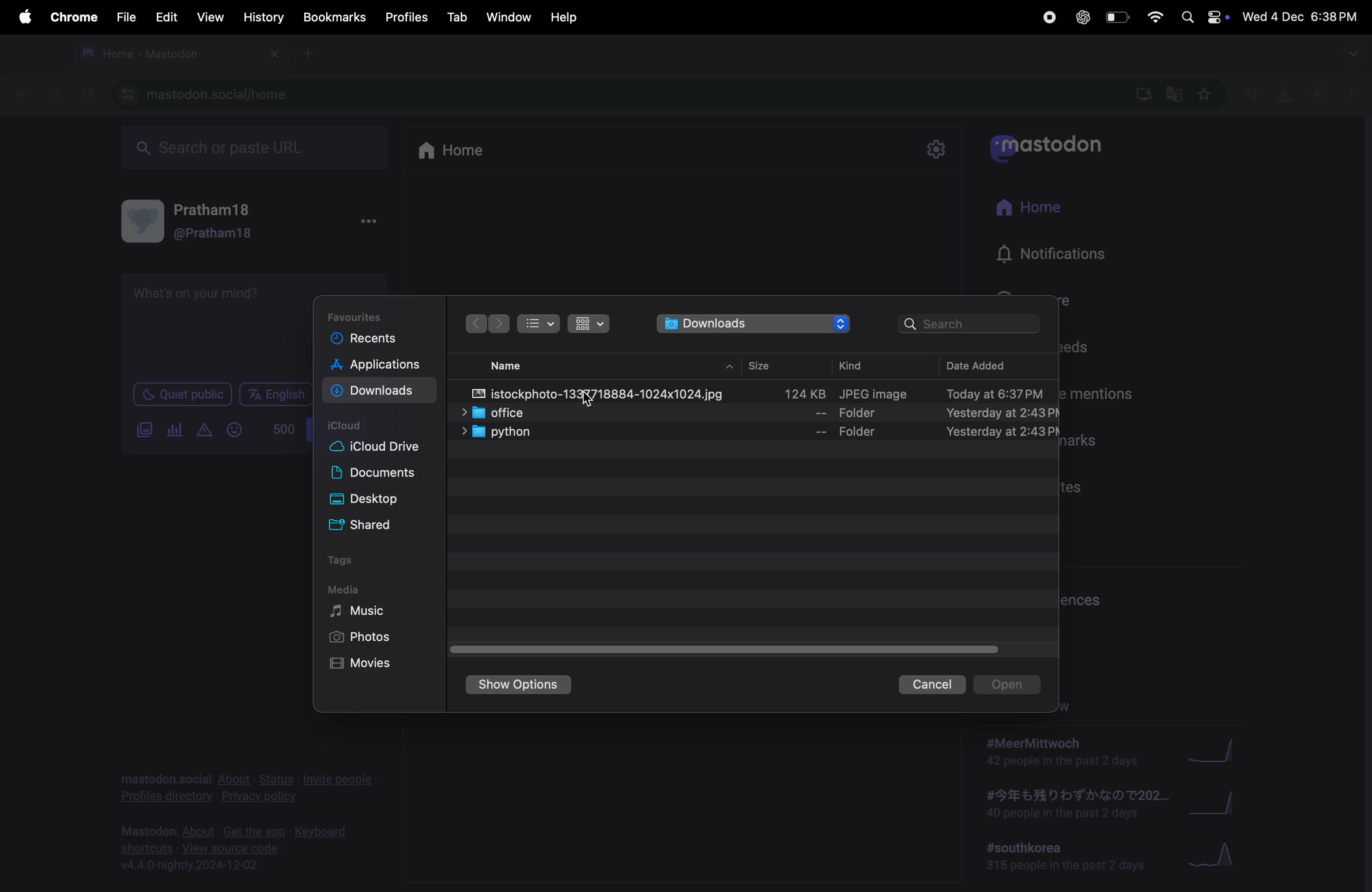 The height and width of the screenshot is (892, 1372). What do you see at coordinates (22, 17) in the screenshot?
I see `apple menu` at bounding box center [22, 17].